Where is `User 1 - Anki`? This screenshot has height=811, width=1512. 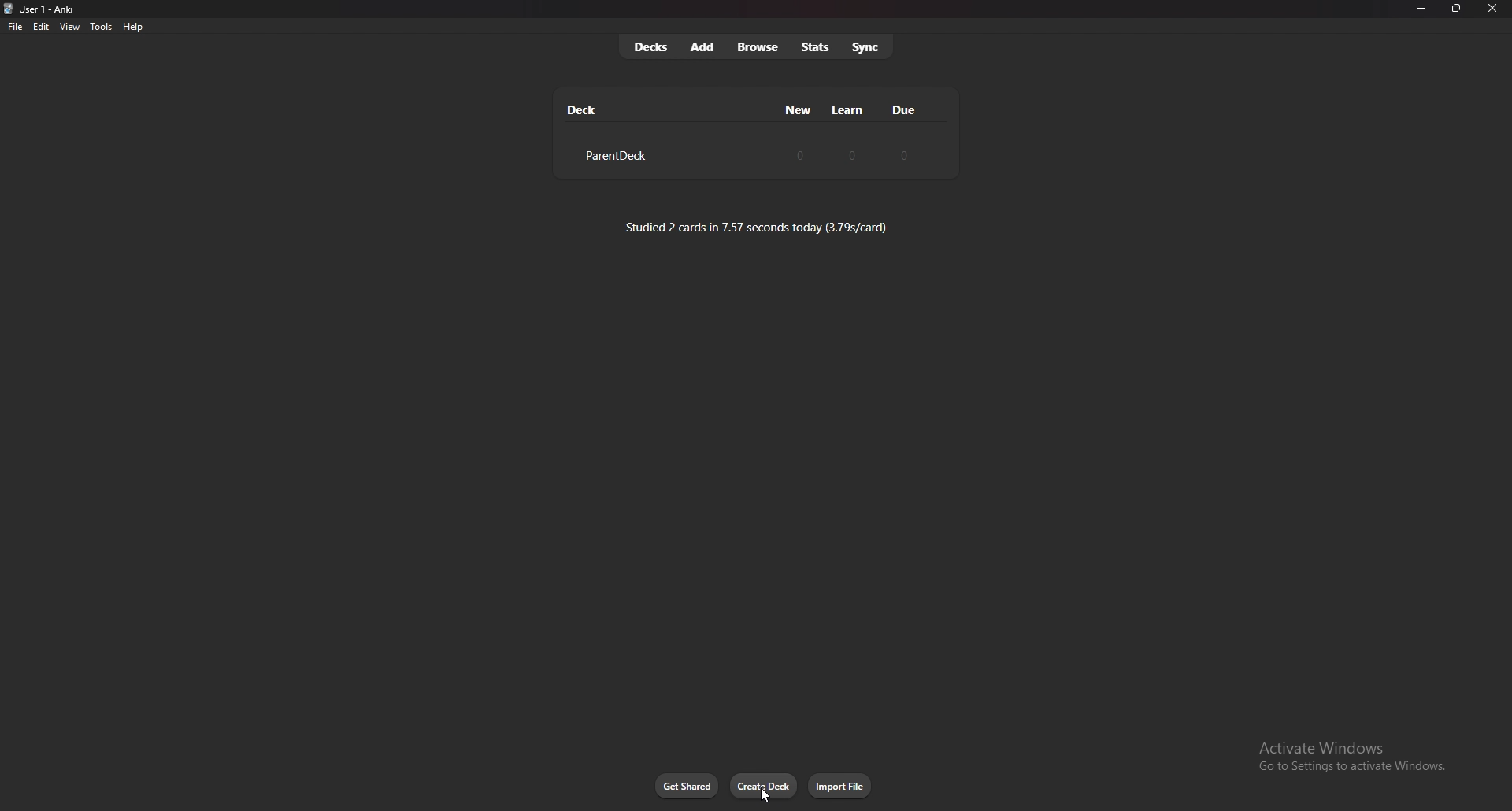 User 1 - Anki is located at coordinates (52, 9).